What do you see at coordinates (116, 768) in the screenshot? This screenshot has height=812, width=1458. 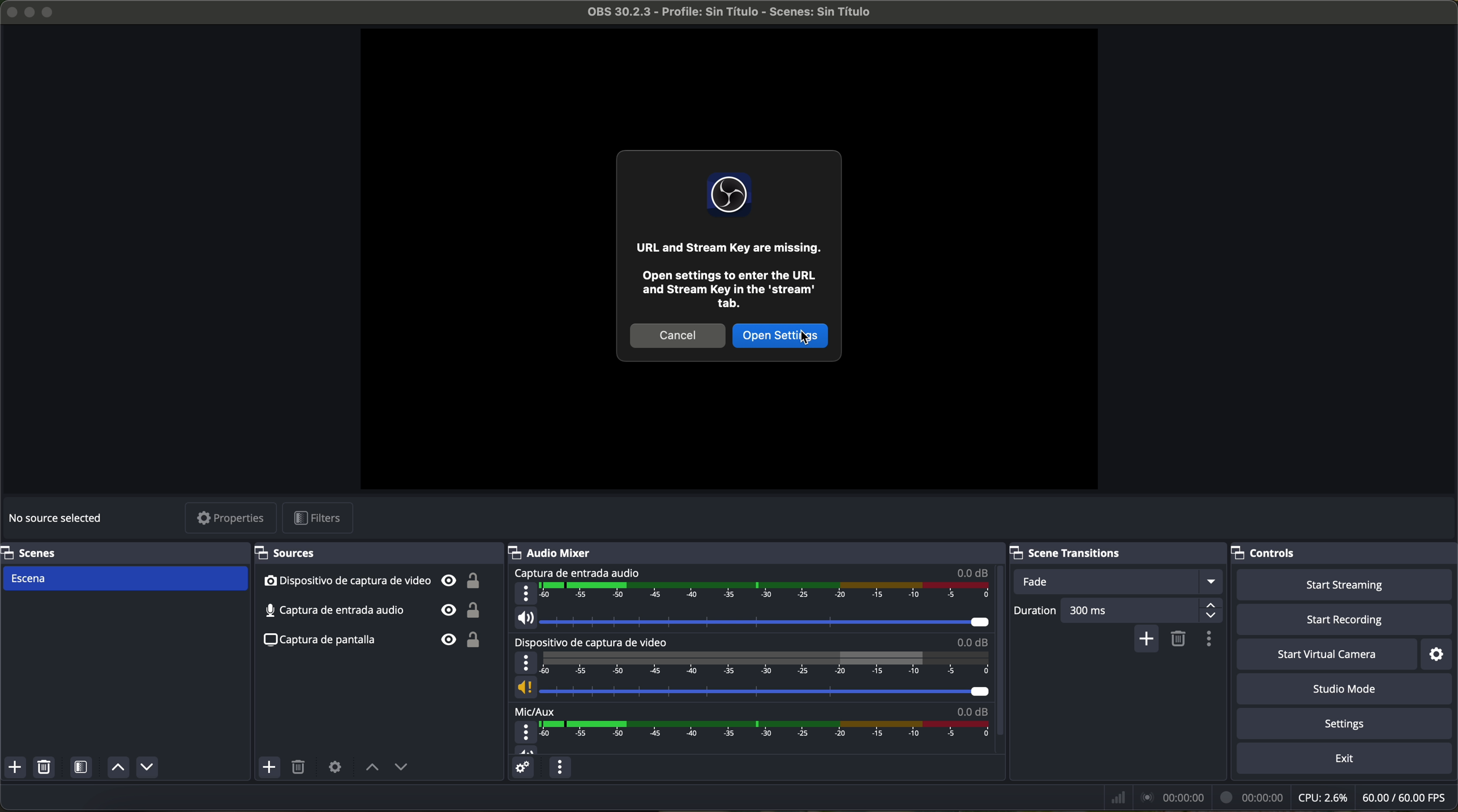 I see `move source up` at bounding box center [116, 768].